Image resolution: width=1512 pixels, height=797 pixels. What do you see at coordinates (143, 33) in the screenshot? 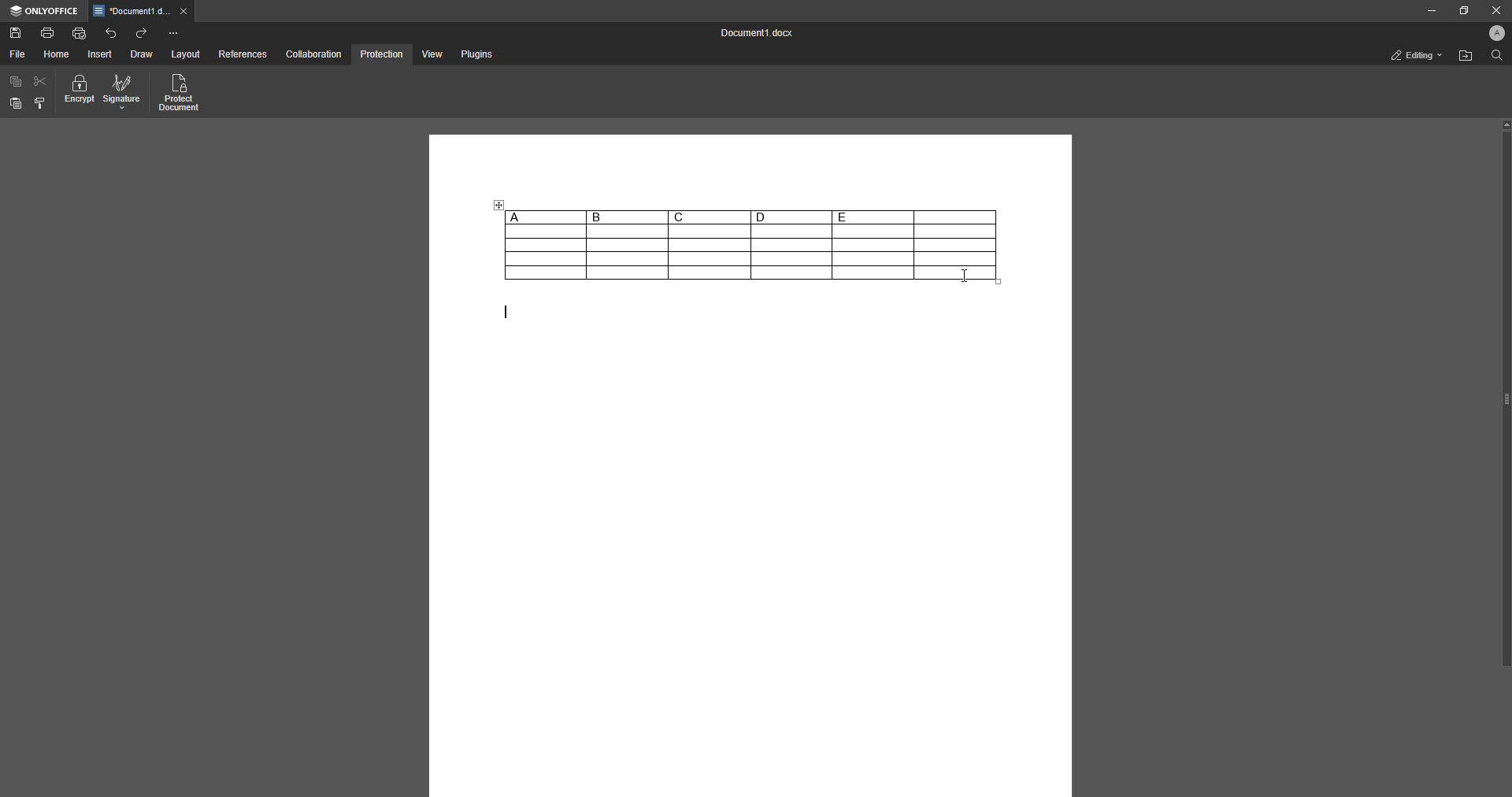
I see `Redo` at bounding box center [143, 33].